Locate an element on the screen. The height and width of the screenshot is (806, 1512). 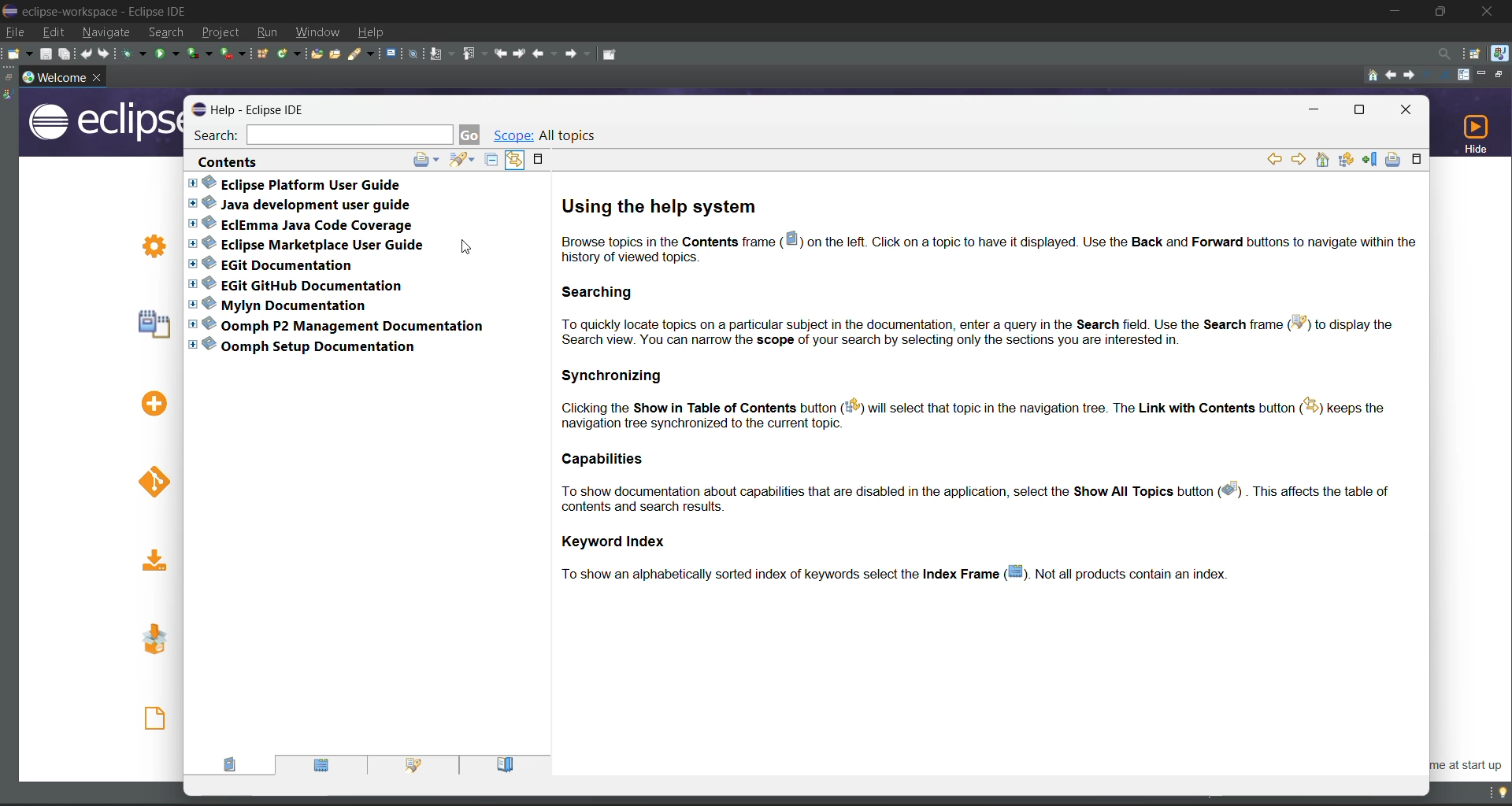
previous edit location is located at coordinates (501, 54).